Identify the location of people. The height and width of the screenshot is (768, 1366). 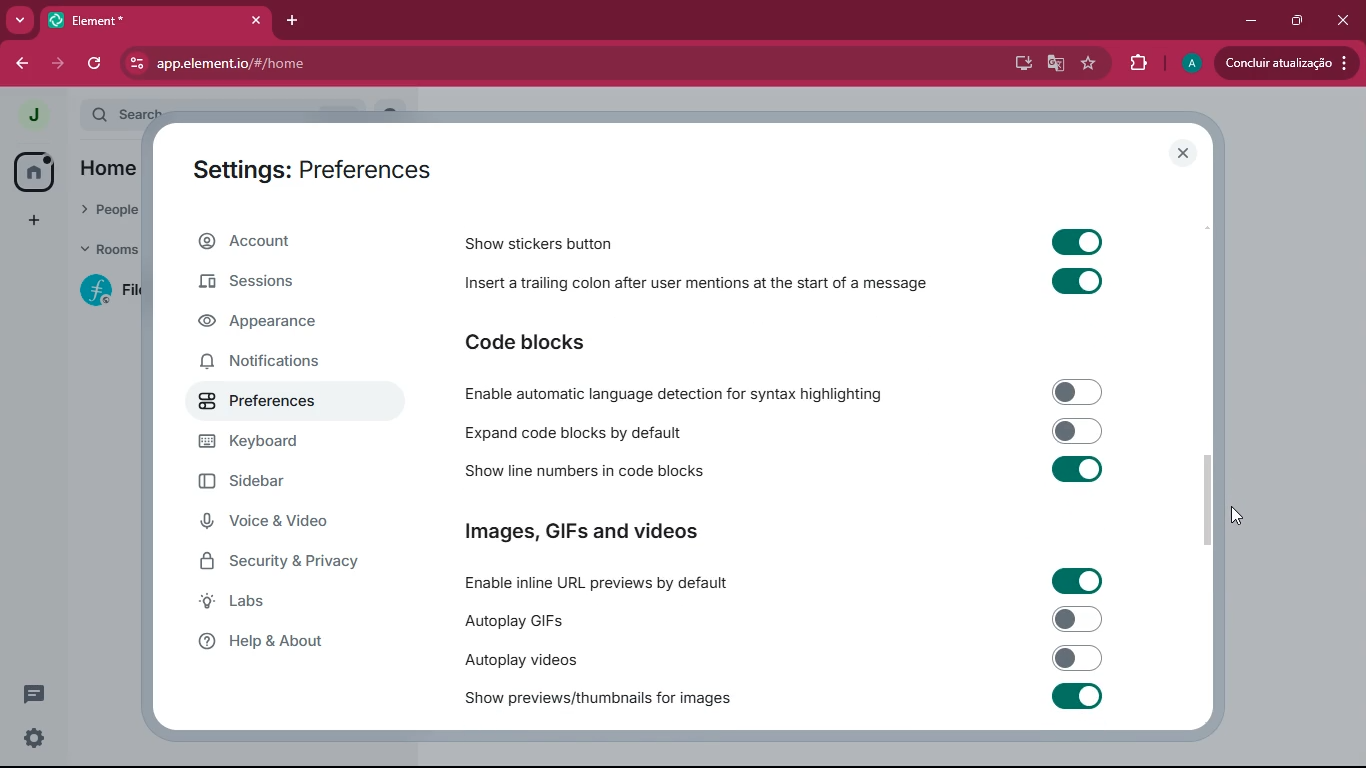
(110, 211).